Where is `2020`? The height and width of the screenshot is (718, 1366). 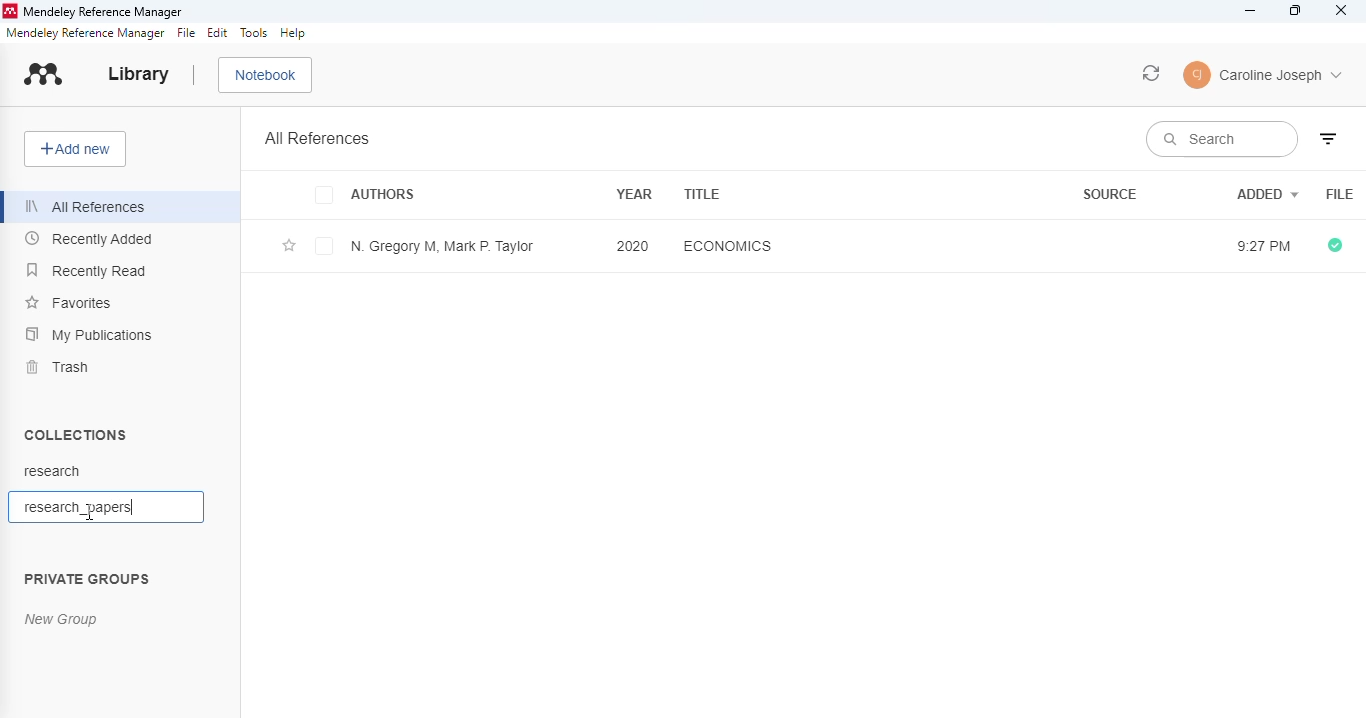
2020 is located at coordinates (633, 245).